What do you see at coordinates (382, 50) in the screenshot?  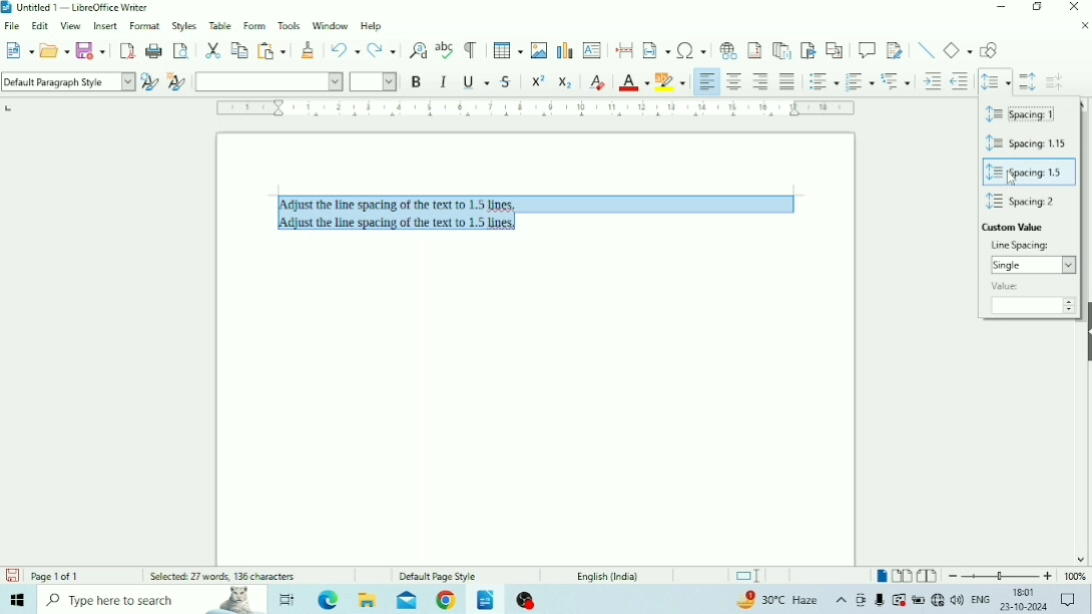 I see `Redo` at bounding box center [382, 50].